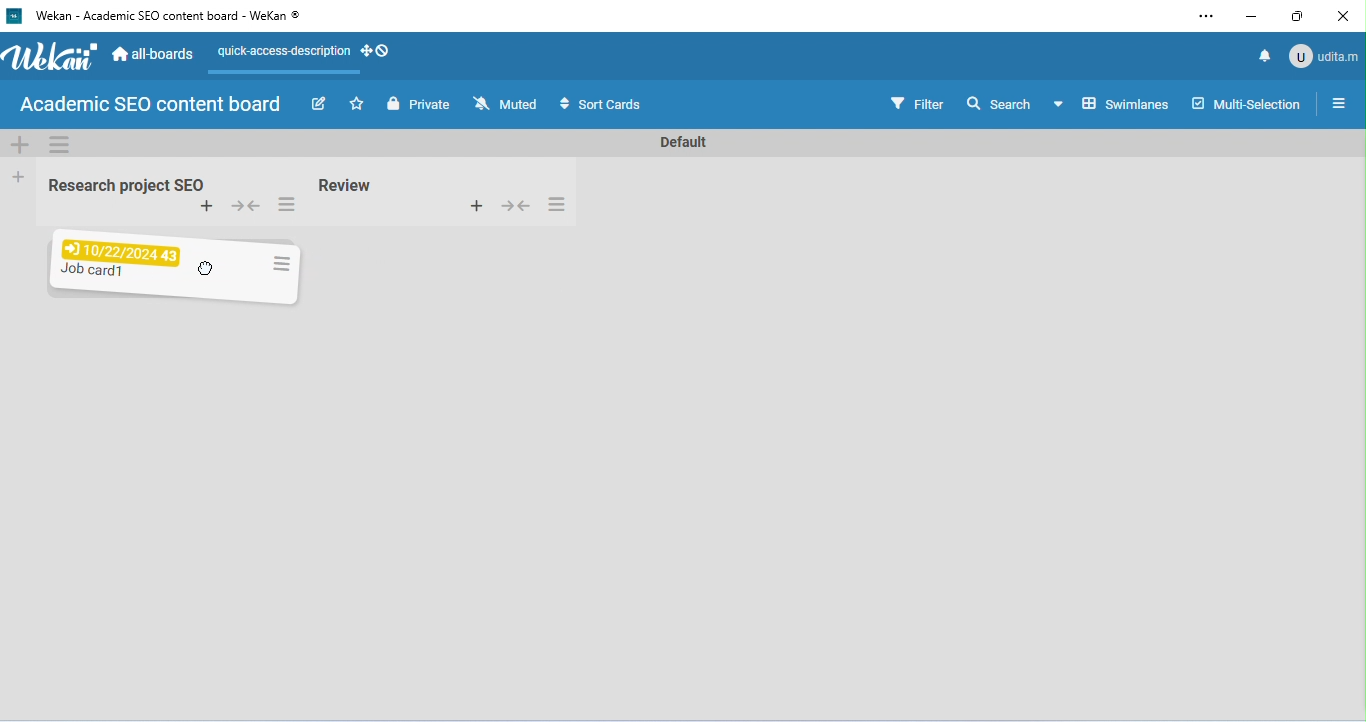  What do you see at coordinates (13, 17) in the screenshot?
I see `wekan logo` at bounding box center [13, 17].